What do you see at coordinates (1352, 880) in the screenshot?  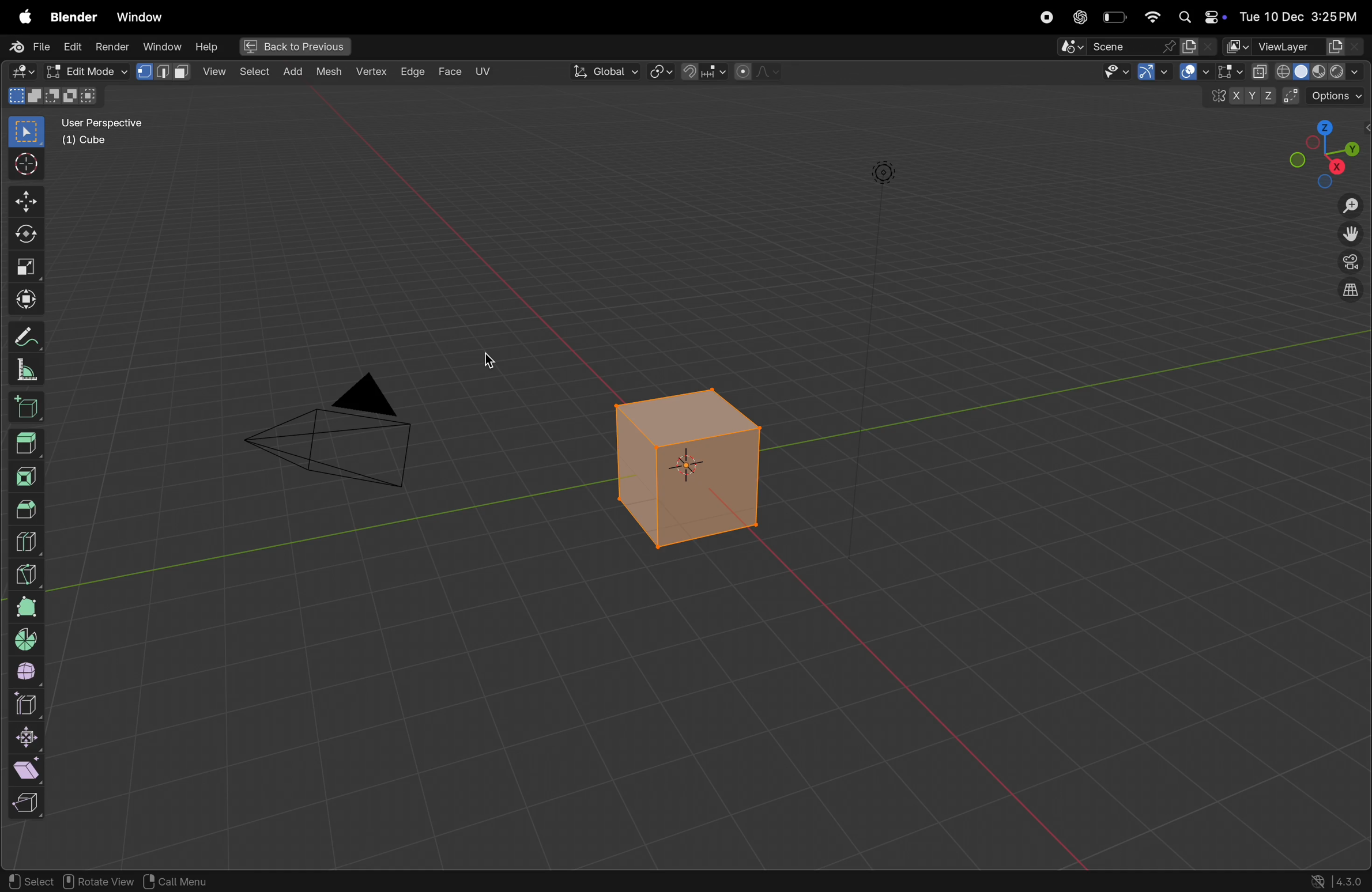 I see `4.3.0` at bounding box center [1352, 880].